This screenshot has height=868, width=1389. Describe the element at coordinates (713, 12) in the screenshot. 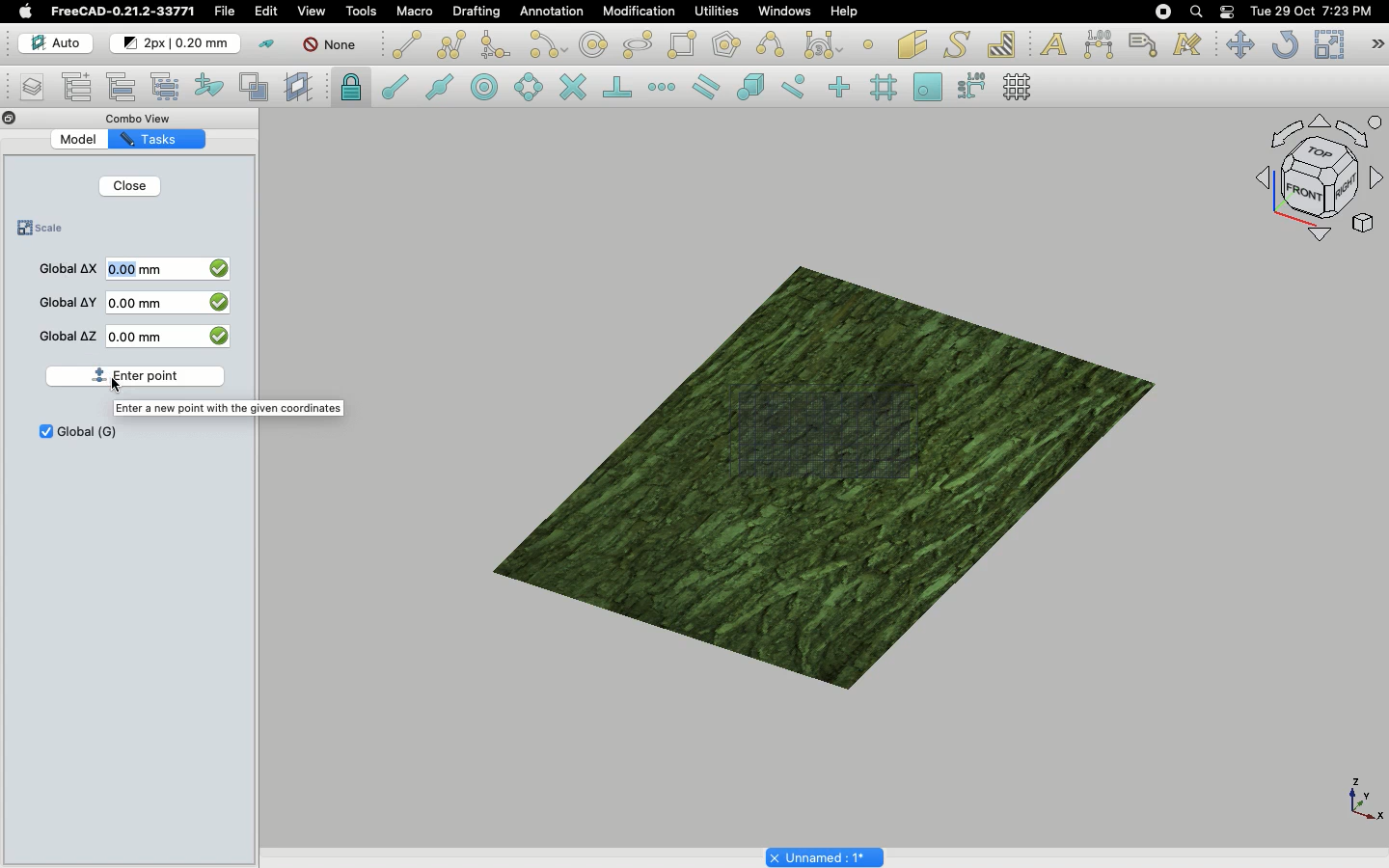

I see `Utilities` at that location.